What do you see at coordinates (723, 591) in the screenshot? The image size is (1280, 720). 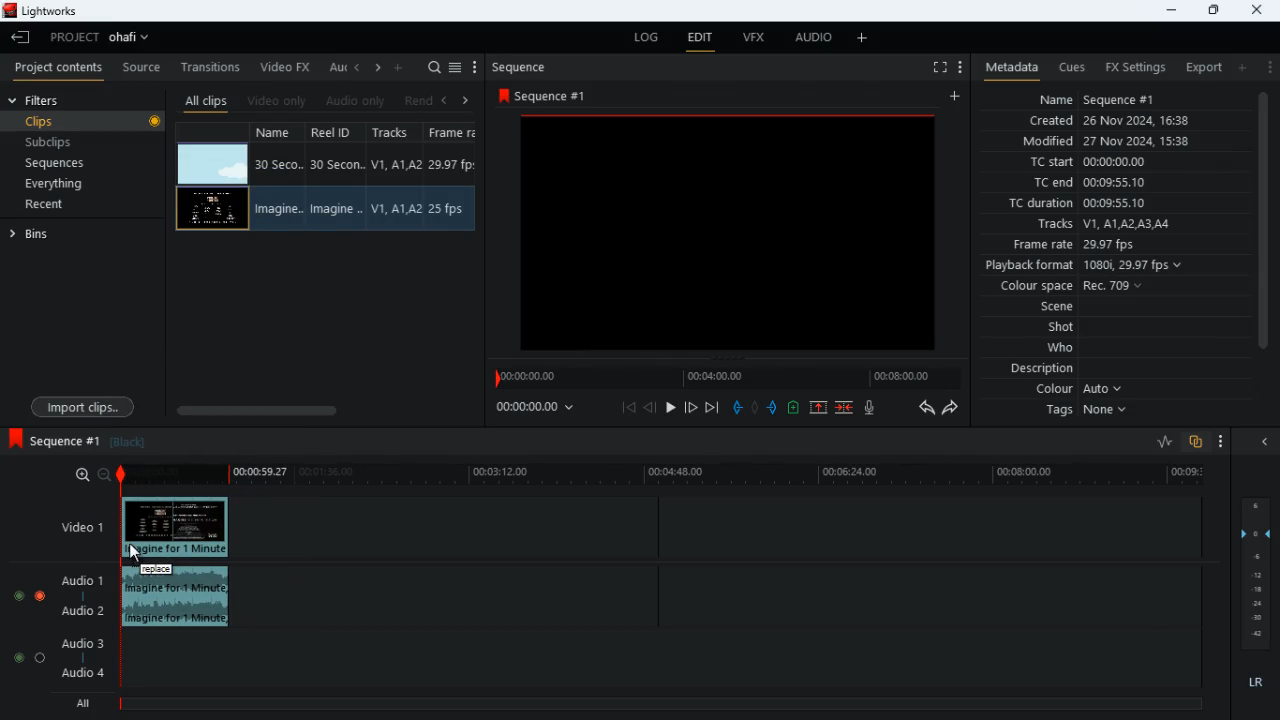 I see `timeline tracks` at bounding box center [723, 591].